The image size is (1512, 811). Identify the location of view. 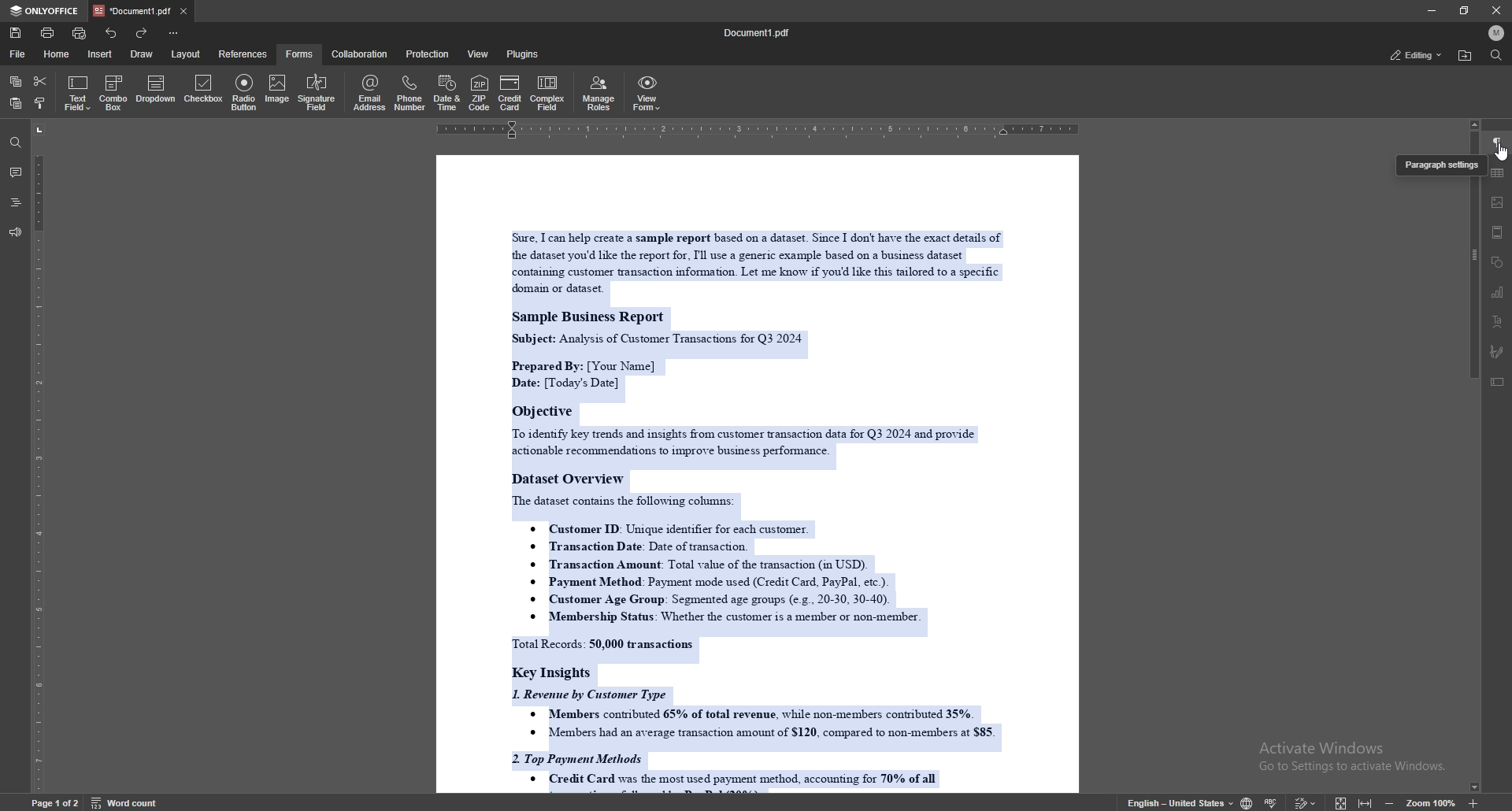
(480, 54).